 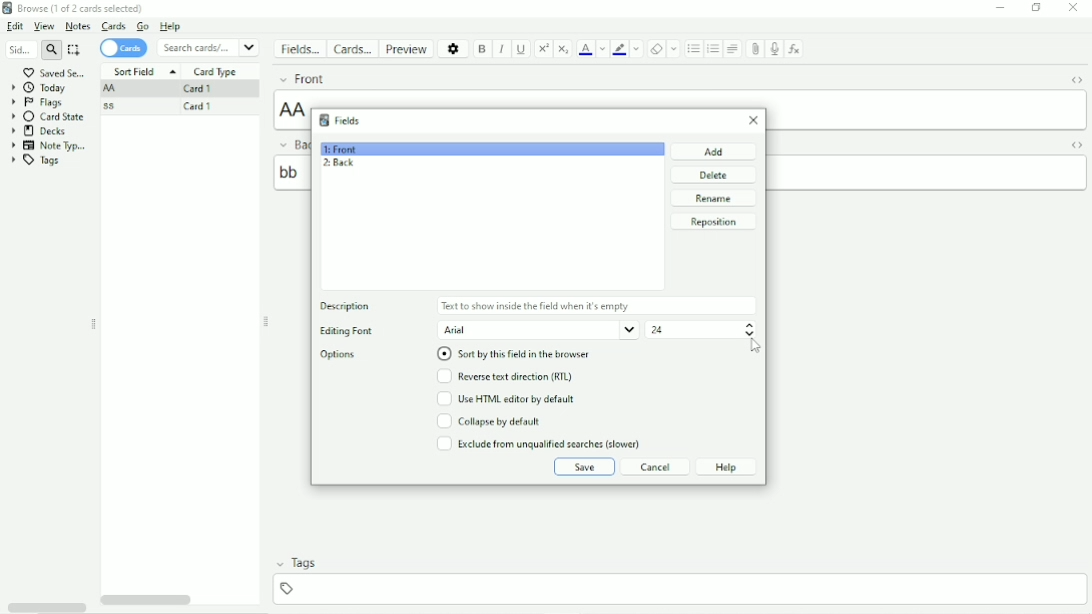 I want to click on Flags, so click(x=39, y=102).